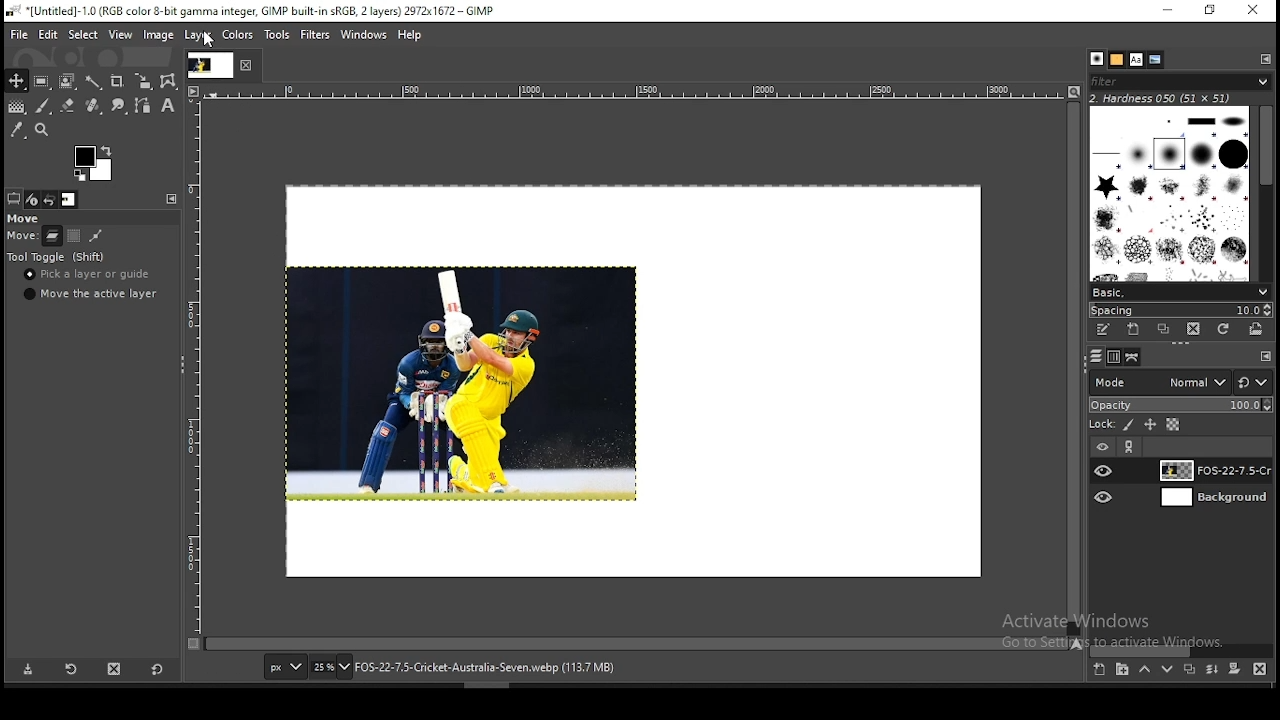  I want to click on patterns, so click(1117, 59).